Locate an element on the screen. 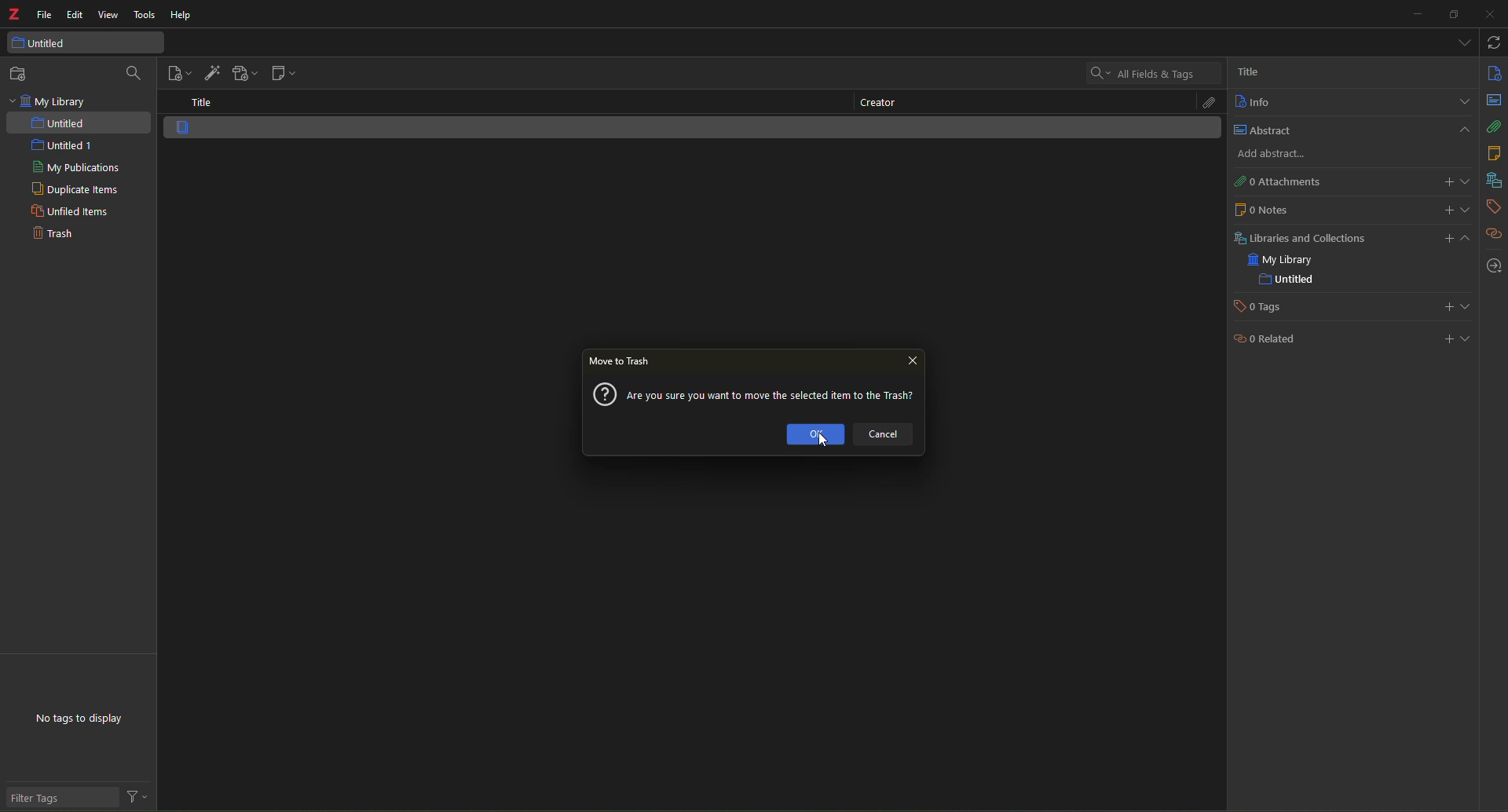 This screenshot has width=1508, height=812. cursor is located at coordinates (819, 440).